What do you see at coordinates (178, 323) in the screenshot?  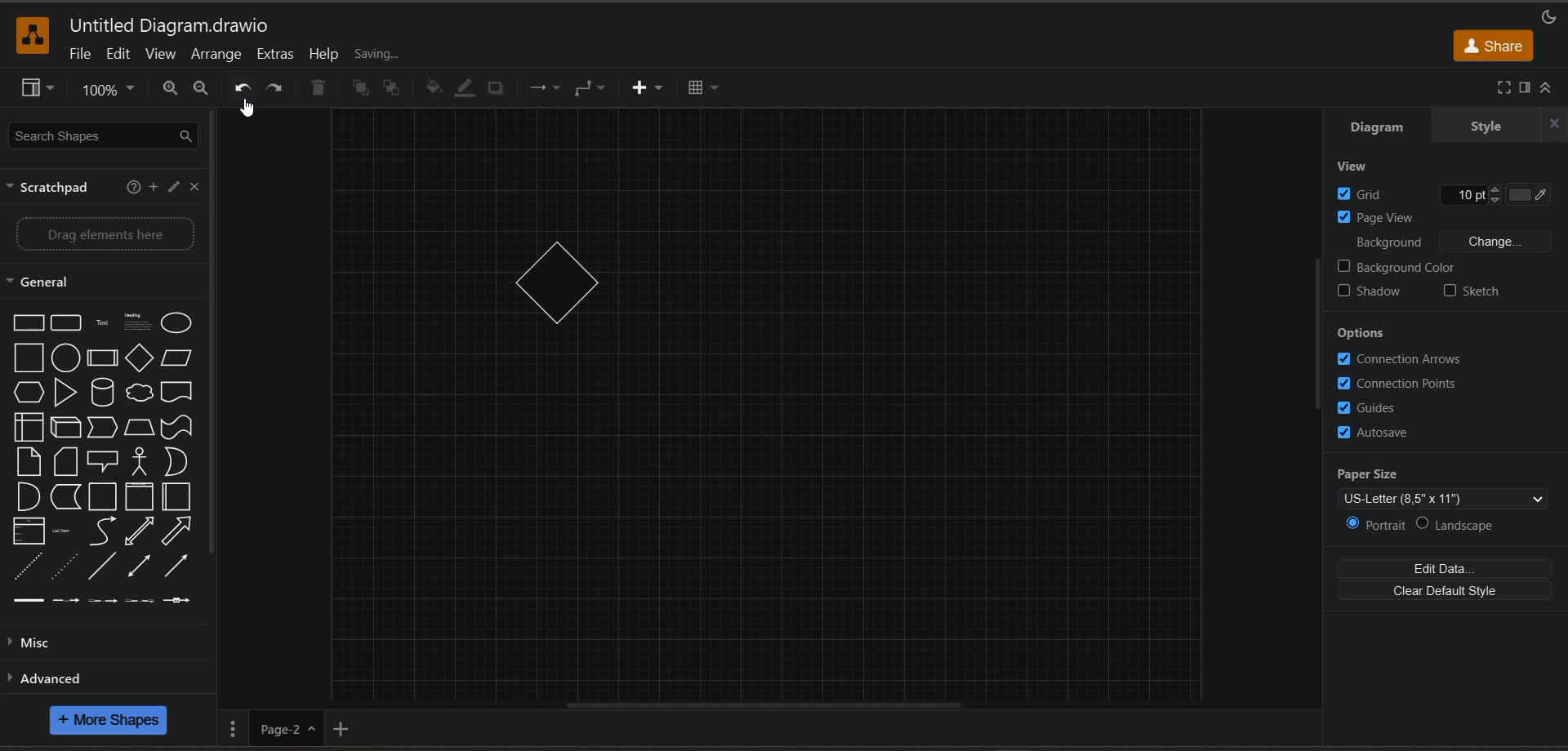 I see `Ellipse` at bounding box center [178, 323].